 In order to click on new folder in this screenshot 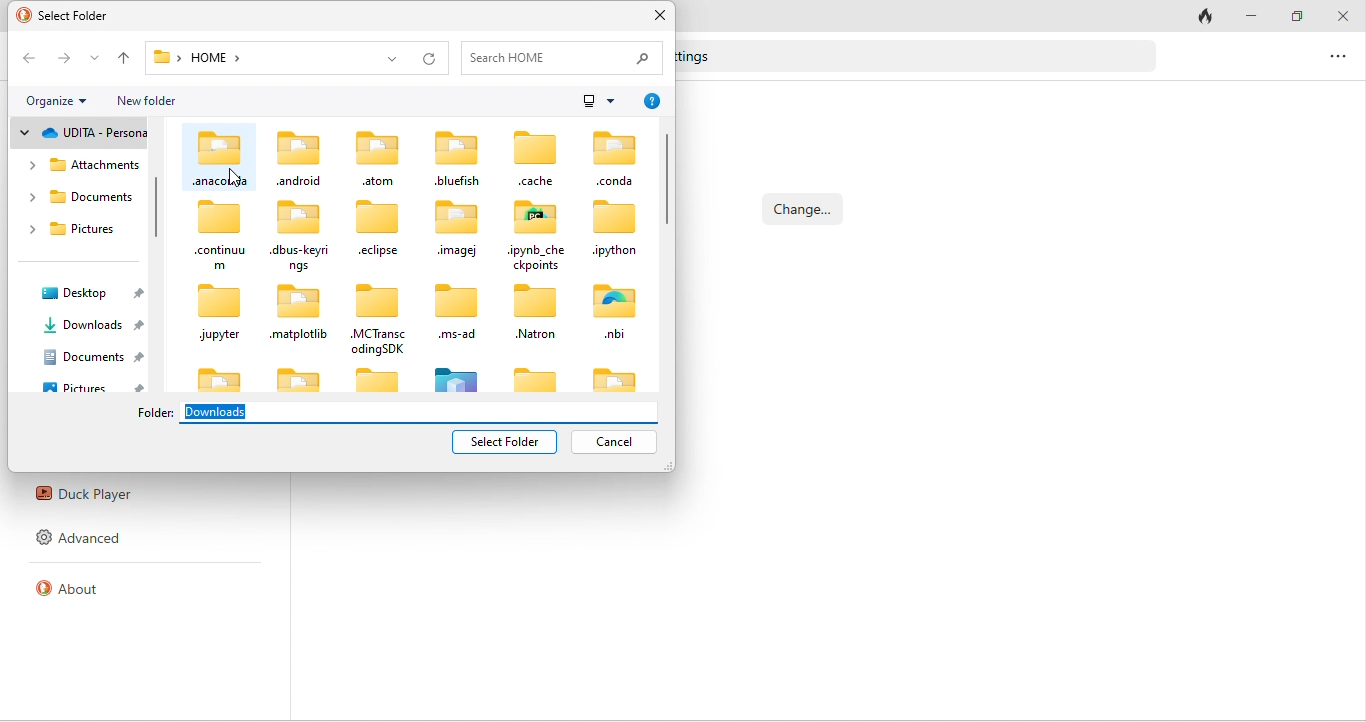, I will do `click(147, 100)`.